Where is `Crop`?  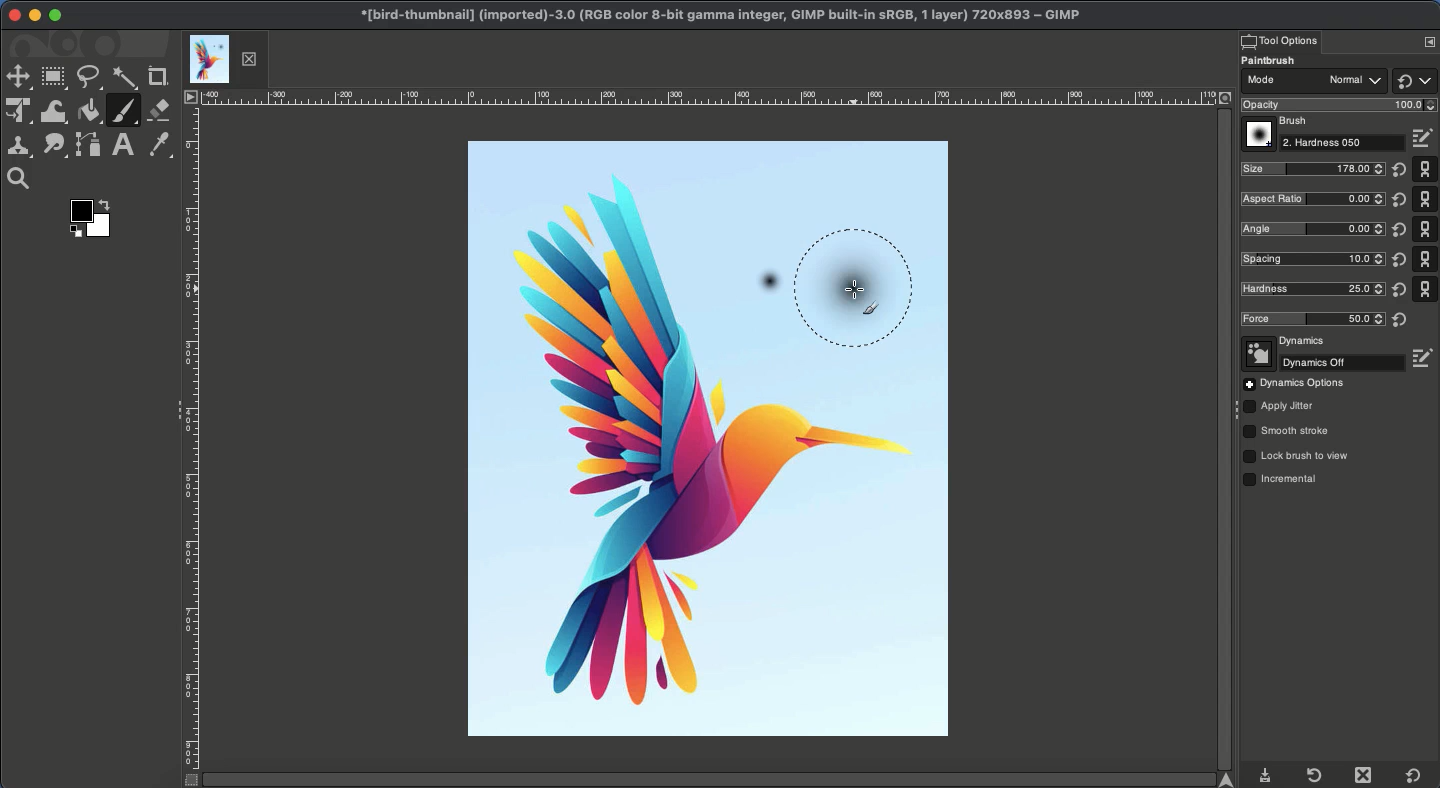
Crop is located at coordinates (159, 77).